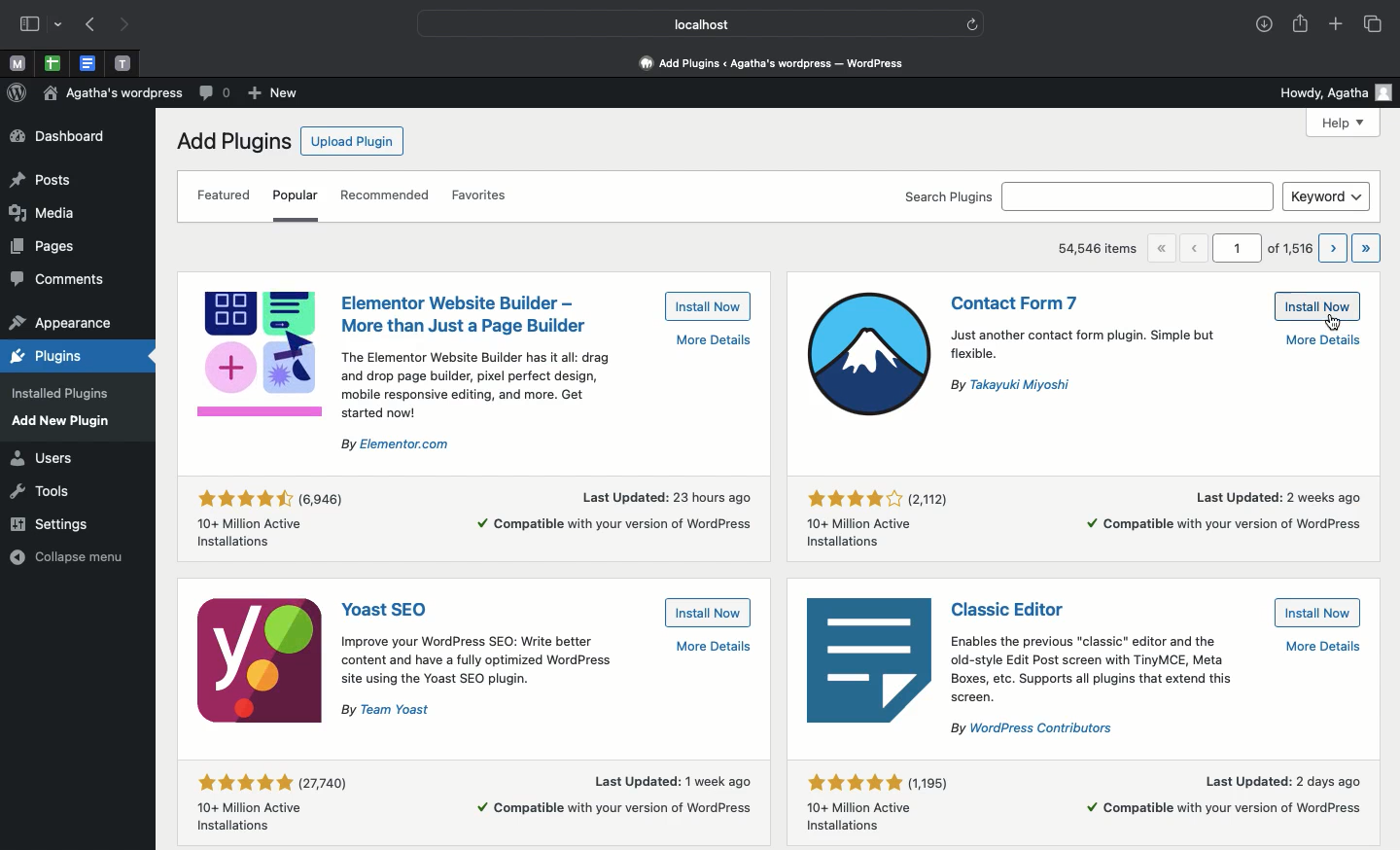 Image resolution: width=1400 pixels, height=850 pixels. Describe the element at coordinates (270, 806) in the screenshot. I see `Rating` at that location.